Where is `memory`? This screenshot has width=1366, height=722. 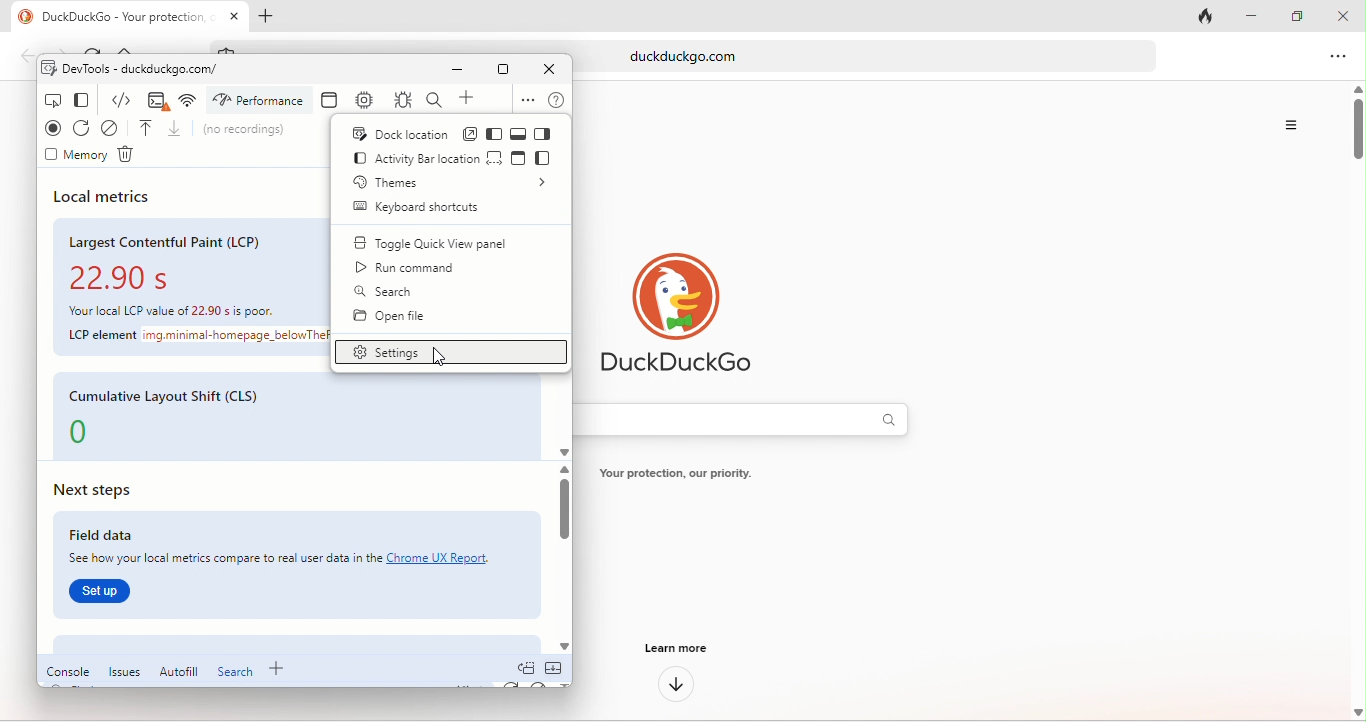 memory is located at coordinates (370, 102).